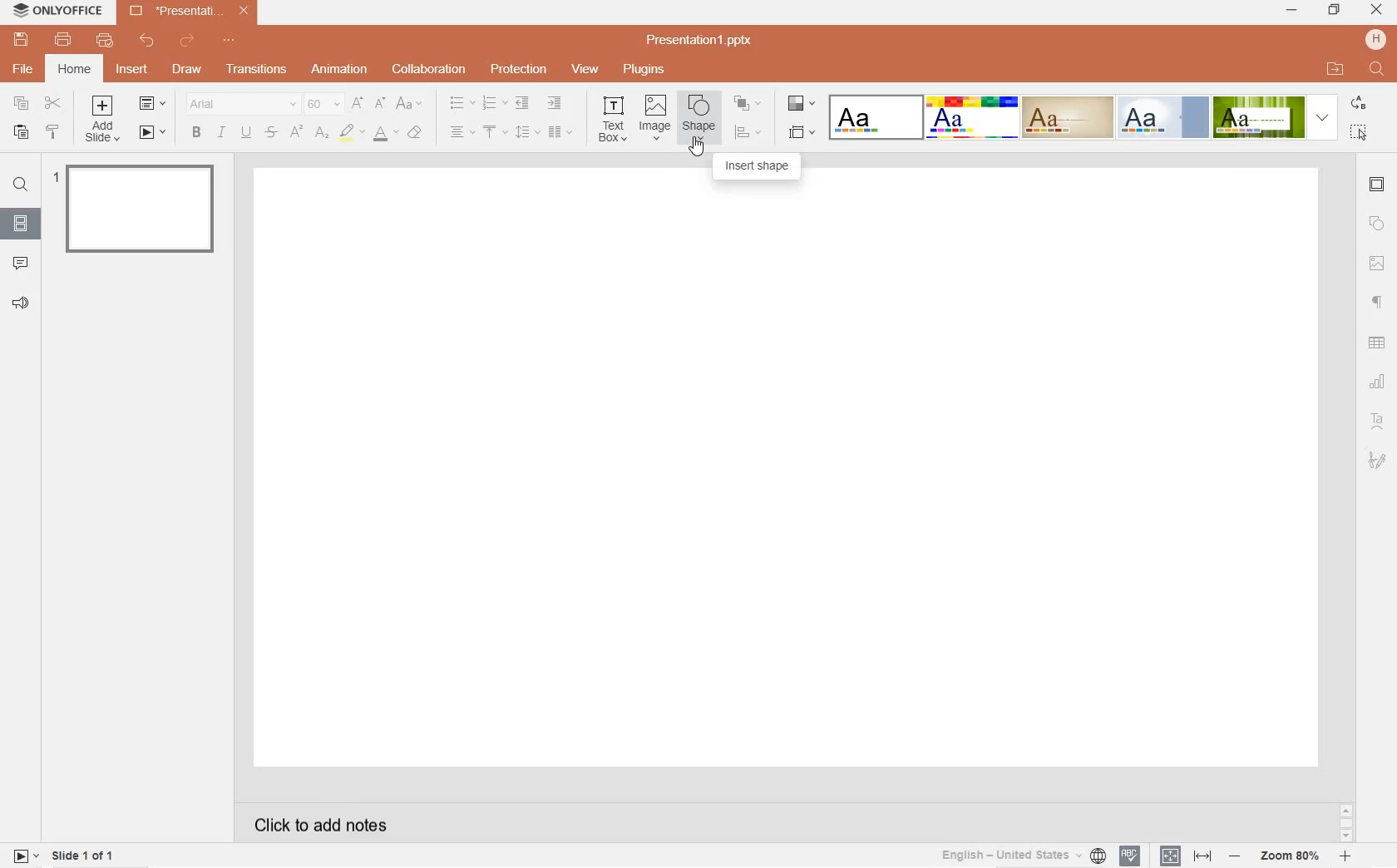  What do you see at coordinates (193, 12) in the screenshot?
I see `*Presentation1.pptx` at bounding box center [193, 12].